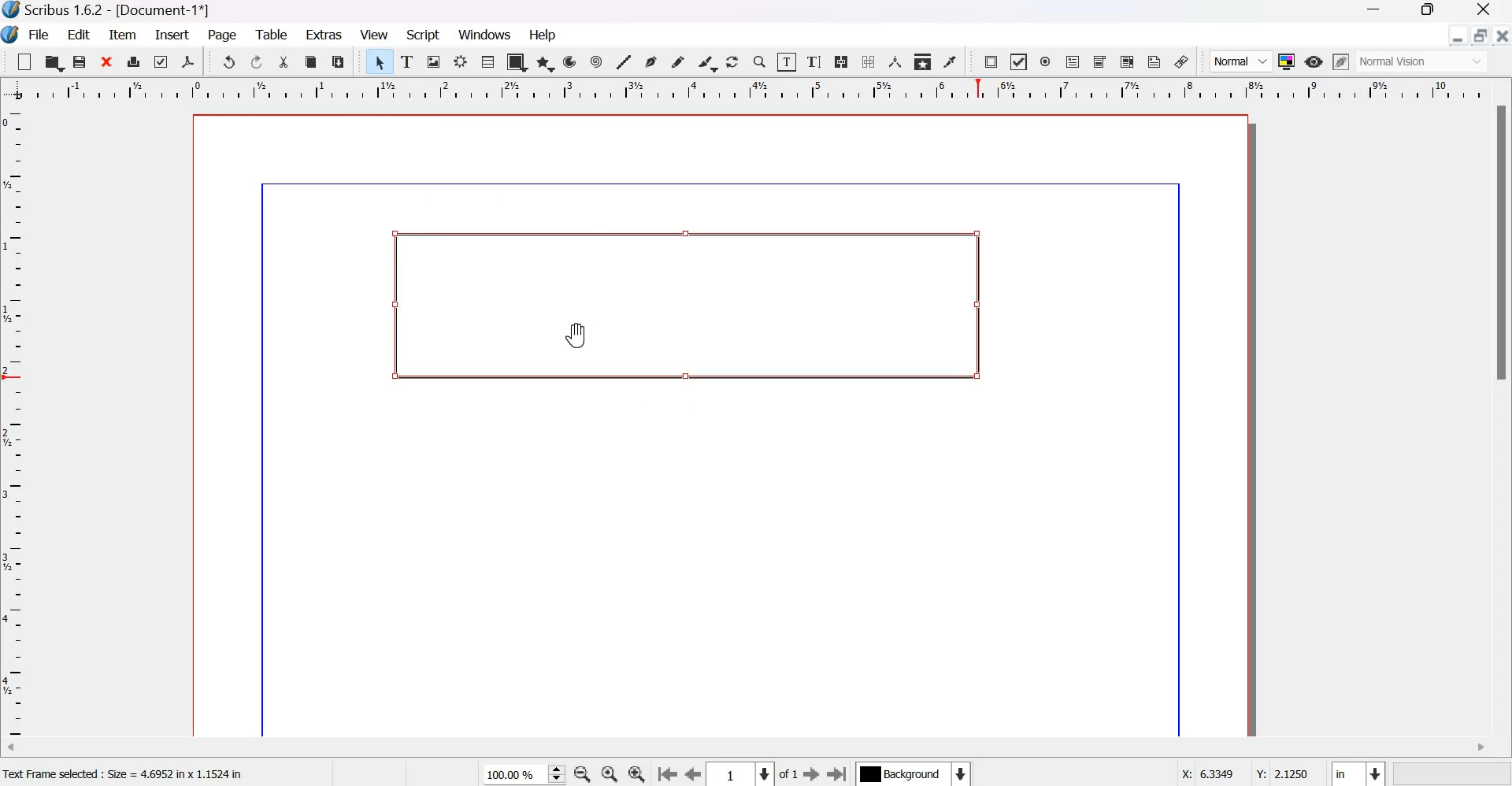 This screenshot has height=786, width=1512. I want to click on close, so click(1501, 35).